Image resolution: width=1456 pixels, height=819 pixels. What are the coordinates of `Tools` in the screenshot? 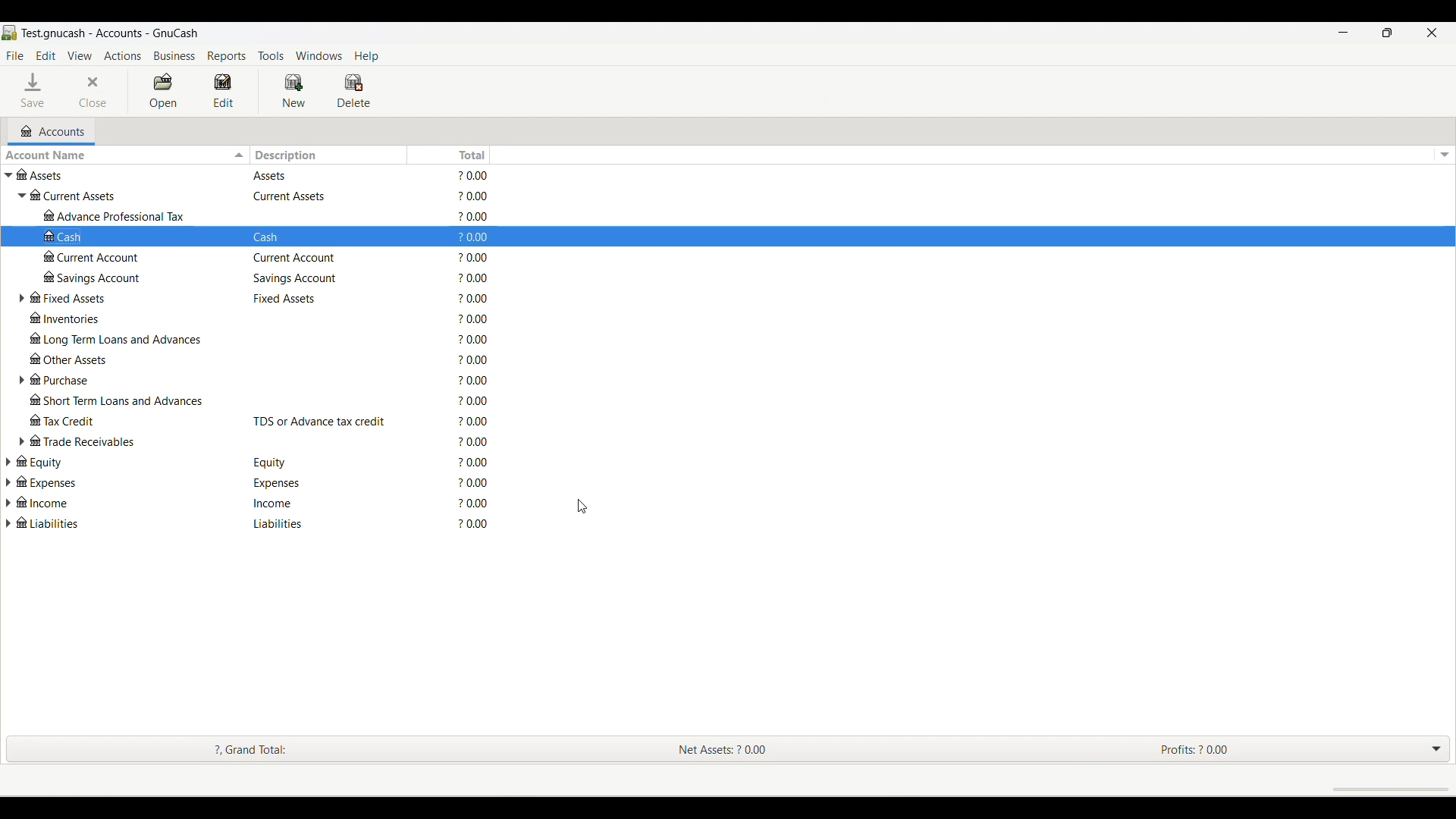 It's located at (271, 56).